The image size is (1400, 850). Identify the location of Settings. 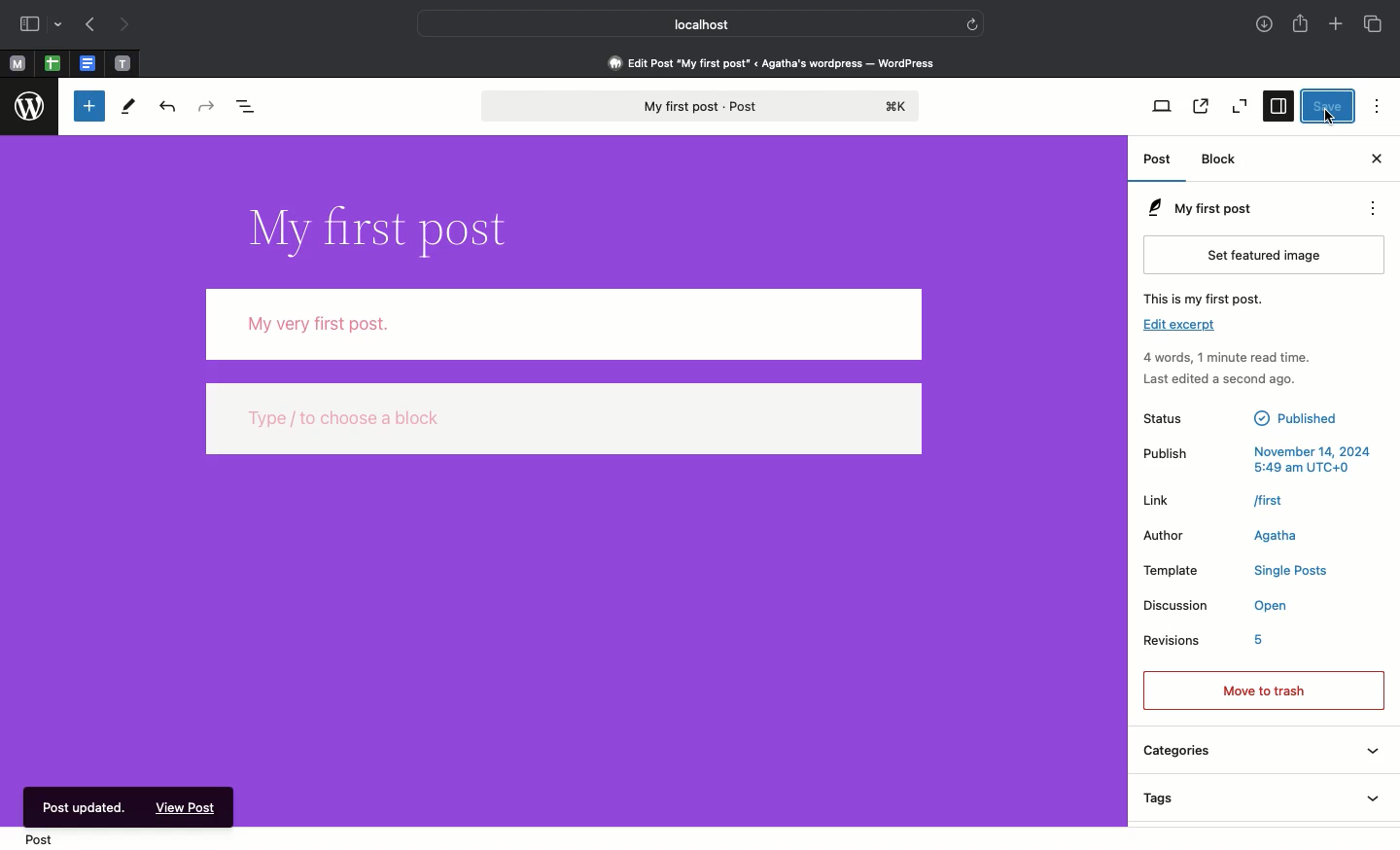
(1280, 107).